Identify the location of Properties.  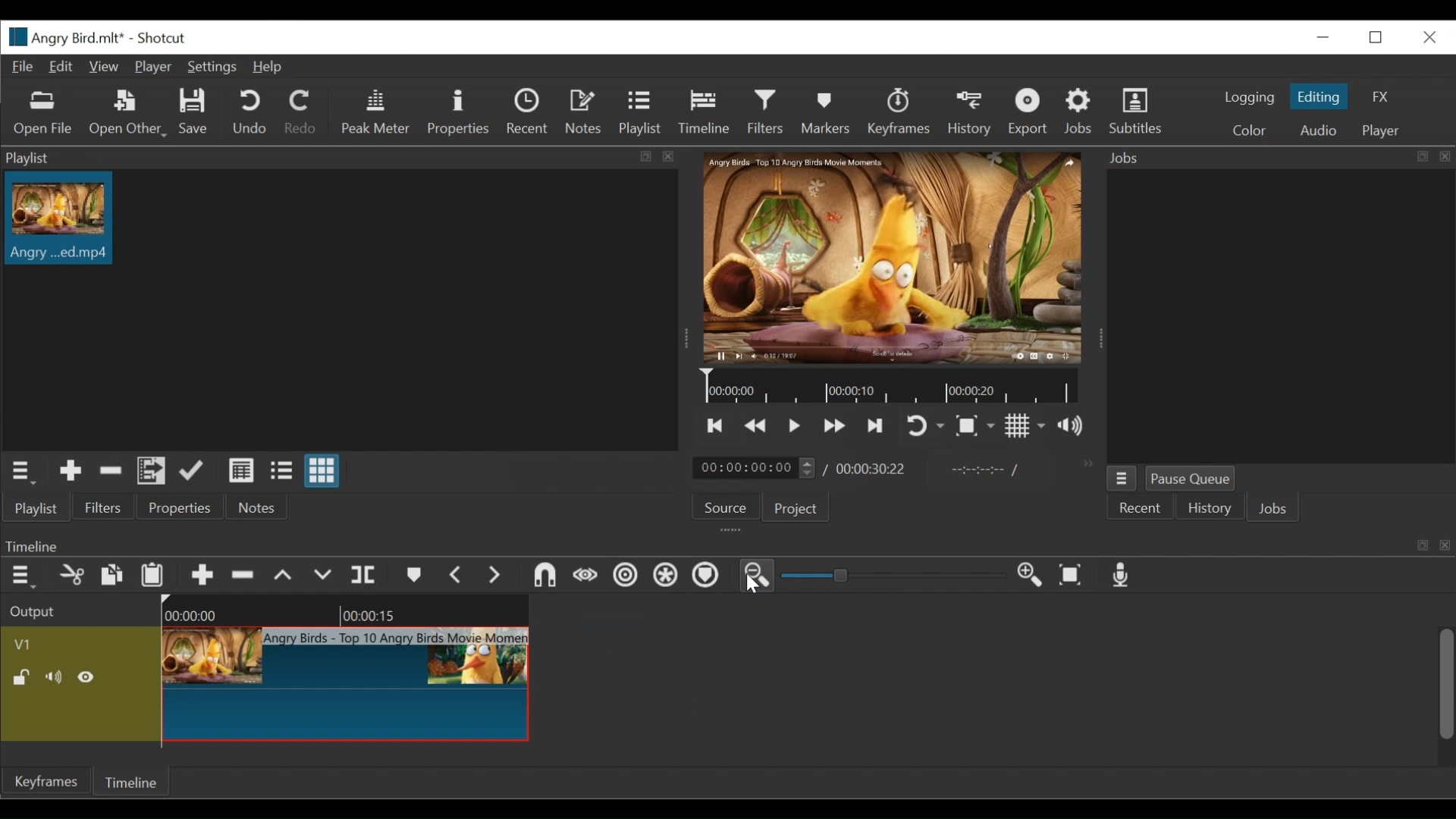
(459, 113).